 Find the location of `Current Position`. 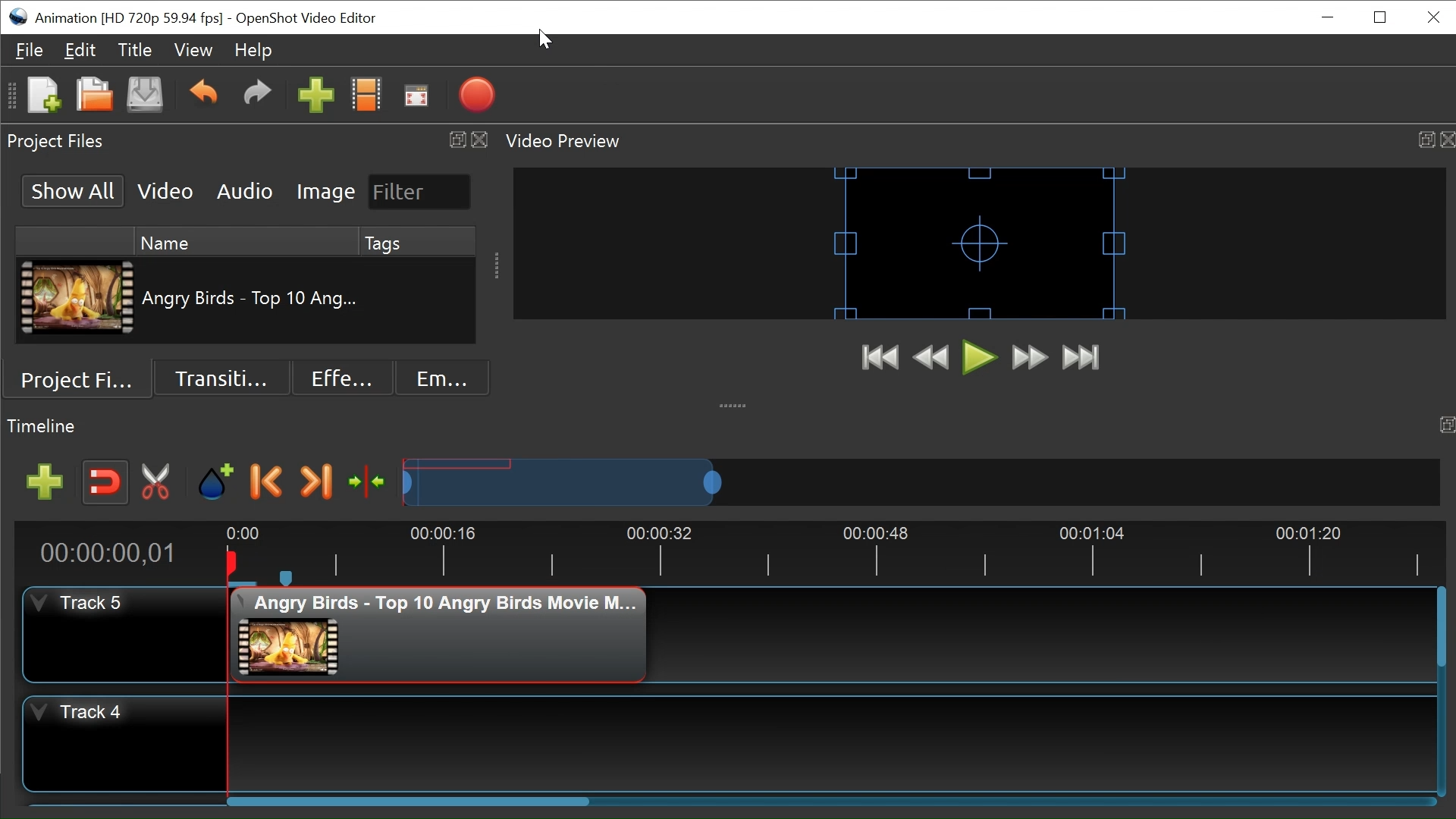

Current Position is located at coordinates (111, 551).